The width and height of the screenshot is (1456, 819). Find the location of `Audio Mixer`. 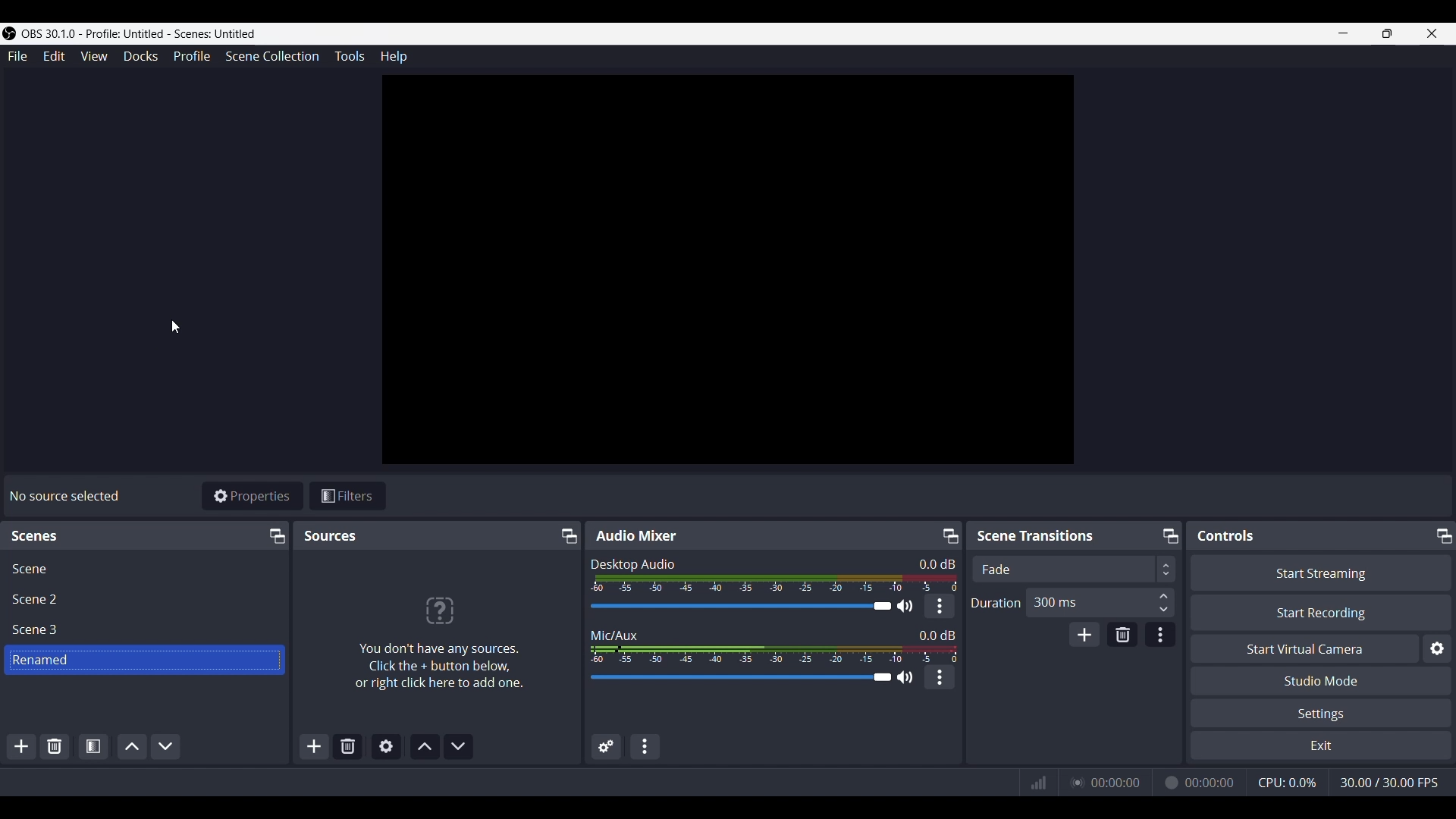

Audio Mixer is located at coordinates (635, 535).